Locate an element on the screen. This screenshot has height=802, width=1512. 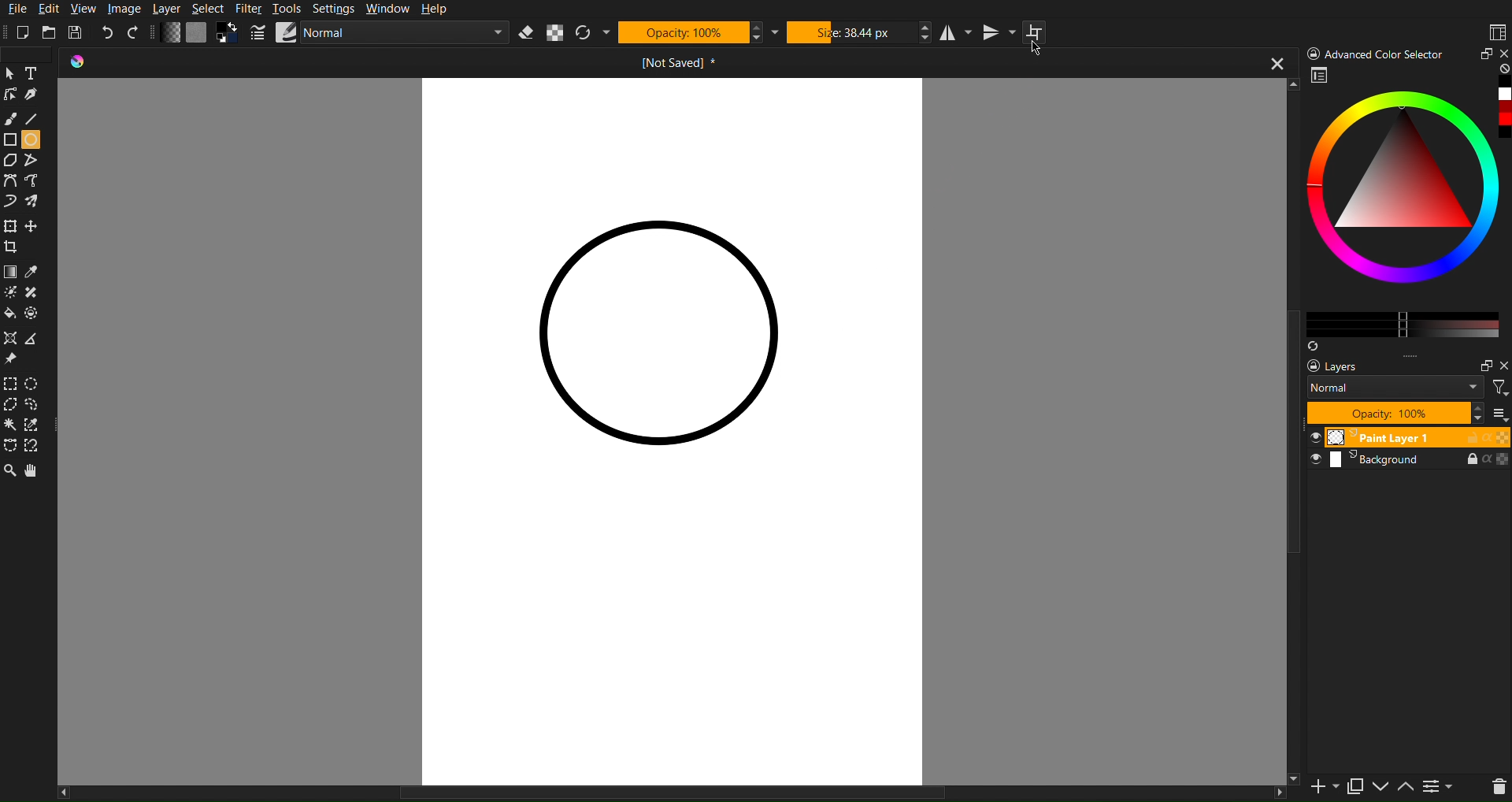
Undo is located at coordinates (106, 35).